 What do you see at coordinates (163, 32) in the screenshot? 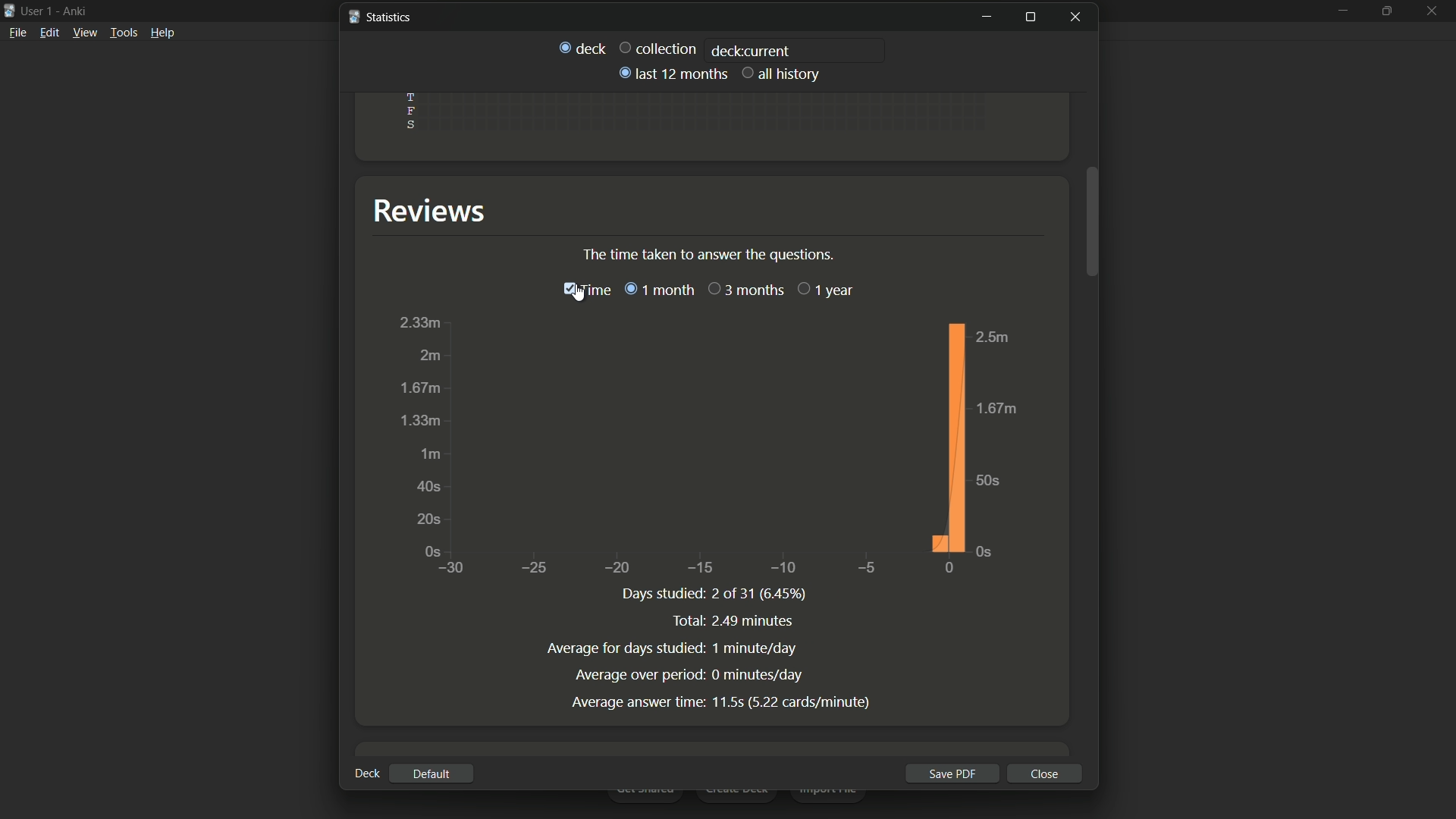
I see `help menu` at bounding box center [163, 32].